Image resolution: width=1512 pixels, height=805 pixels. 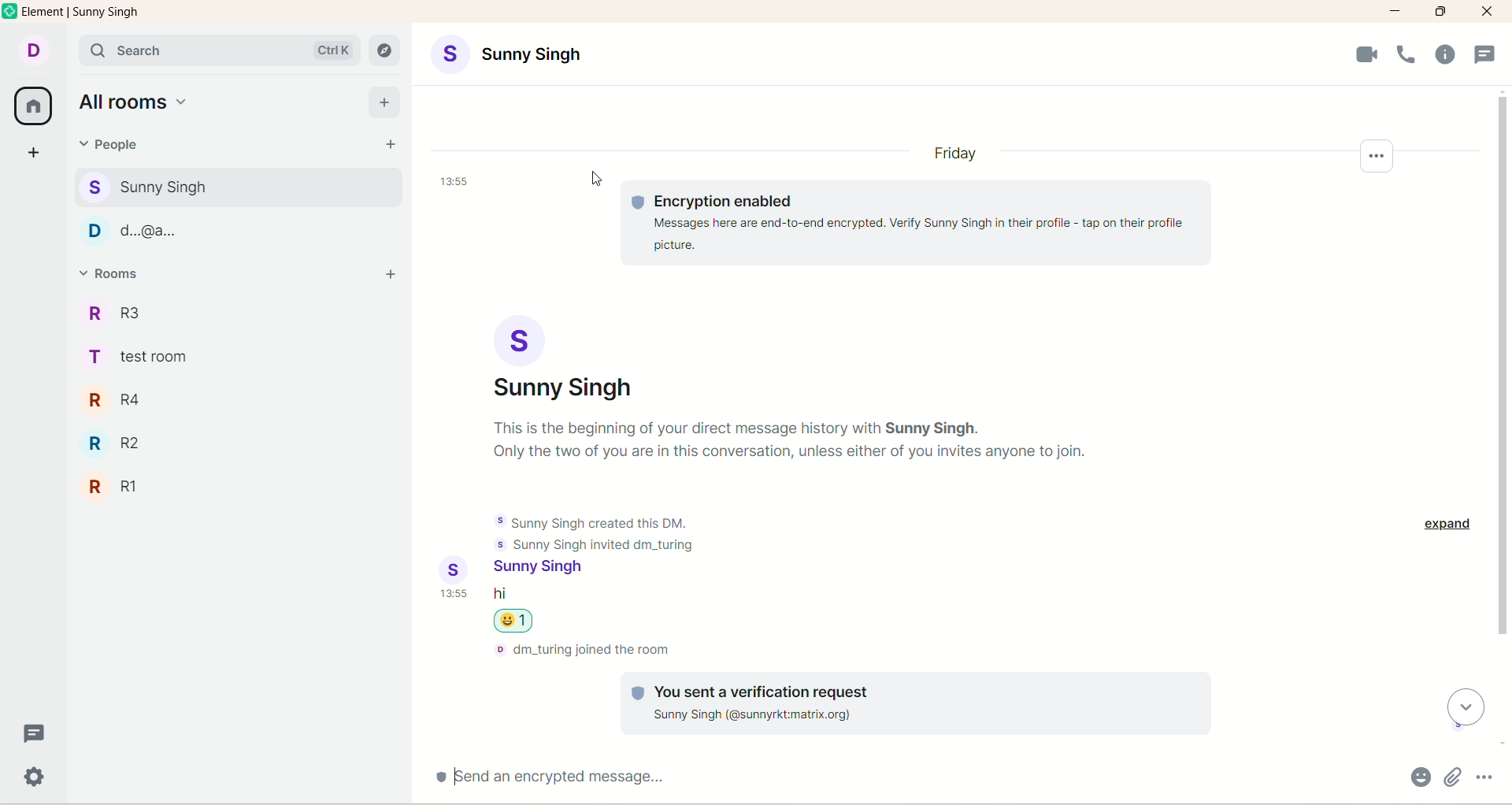 I want to click on options, so click(x=1484, y=777).